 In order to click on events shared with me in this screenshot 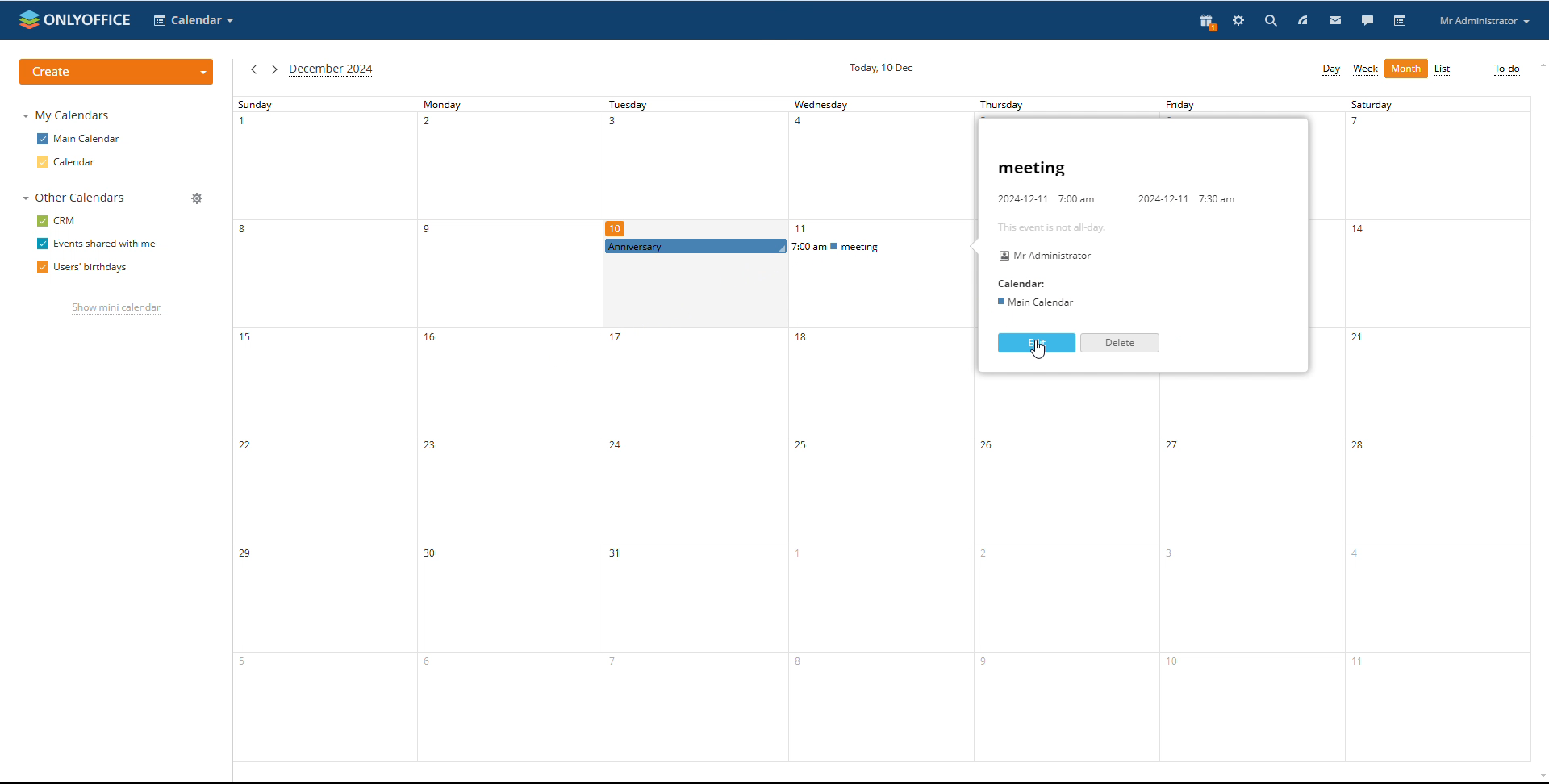, I will do `click(97, 244)`.